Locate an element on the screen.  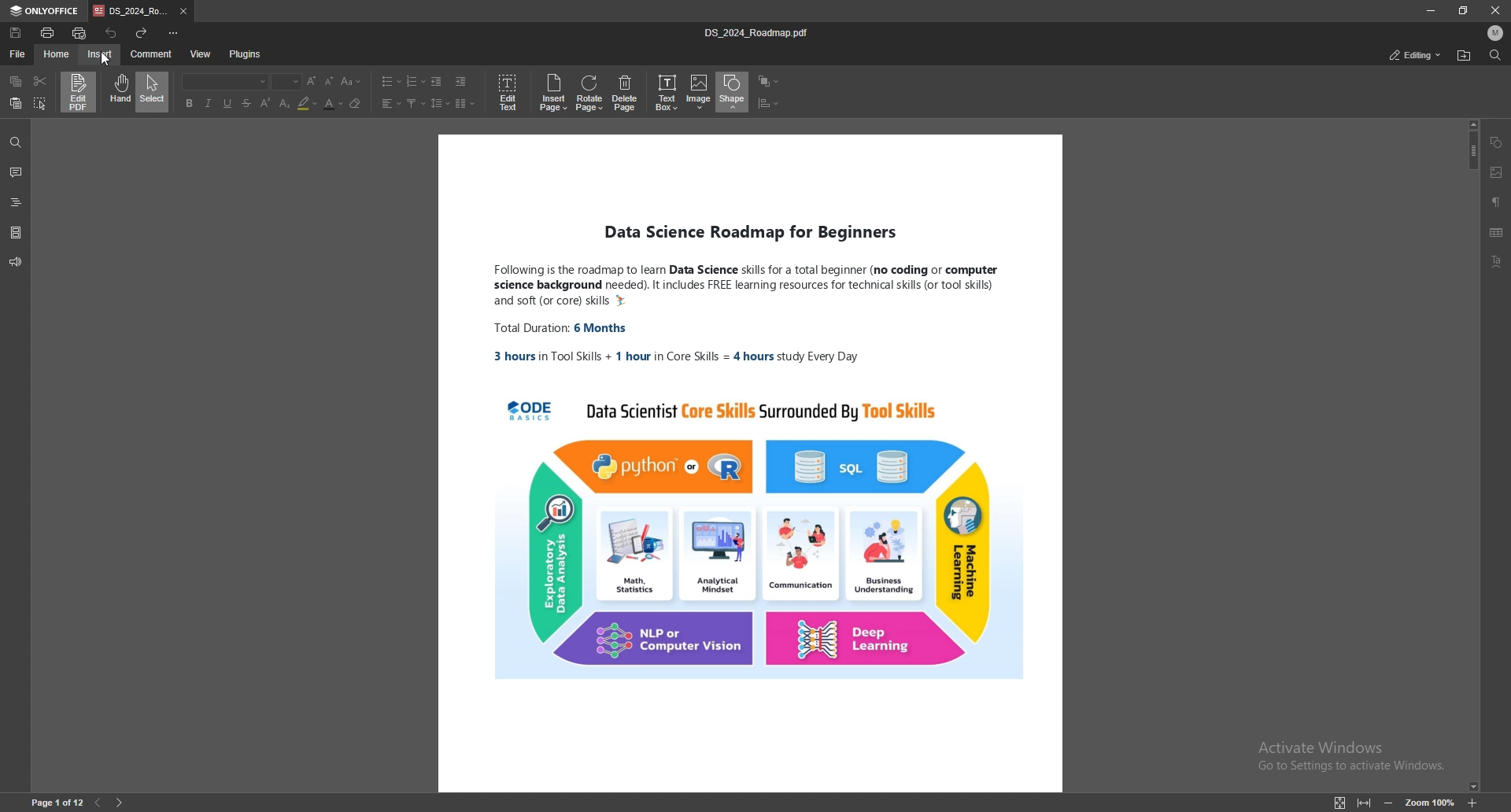
font is located at coordinates (226, 82).